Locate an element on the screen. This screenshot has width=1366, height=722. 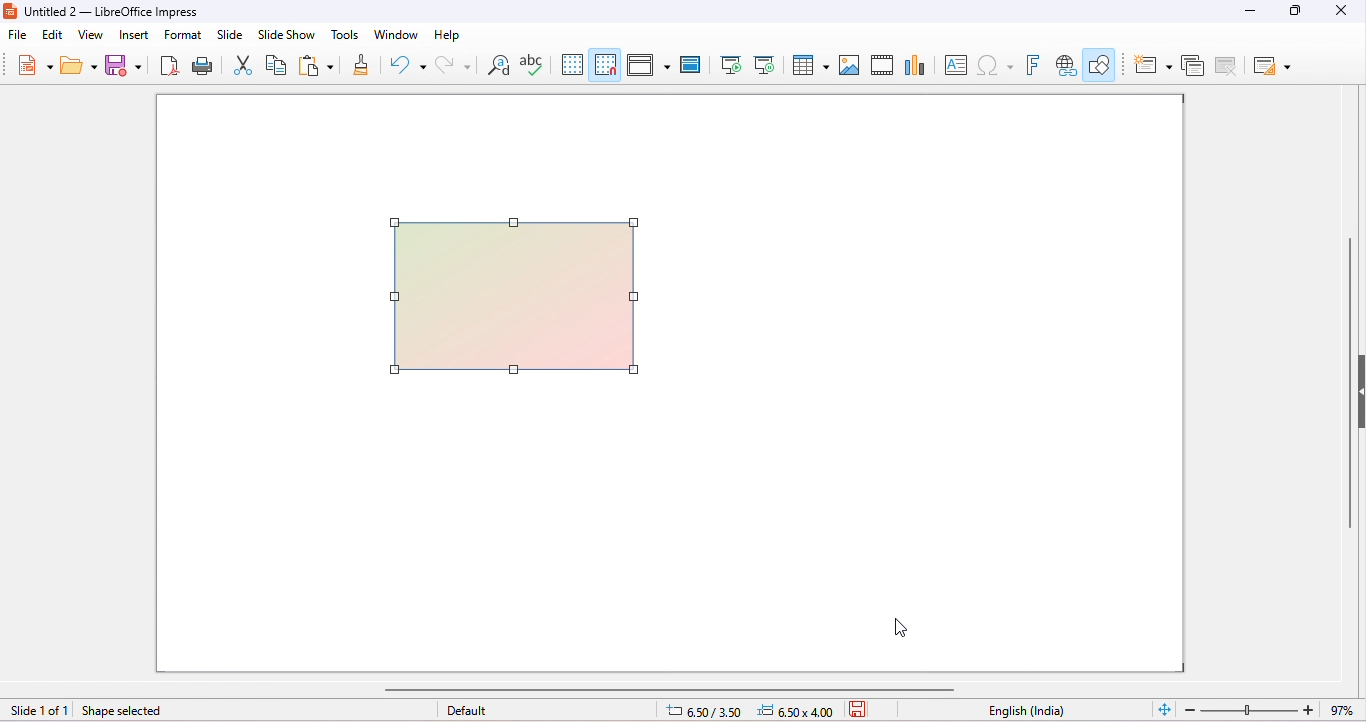
horizontal scroll bar is located at coordinates (673, 689).